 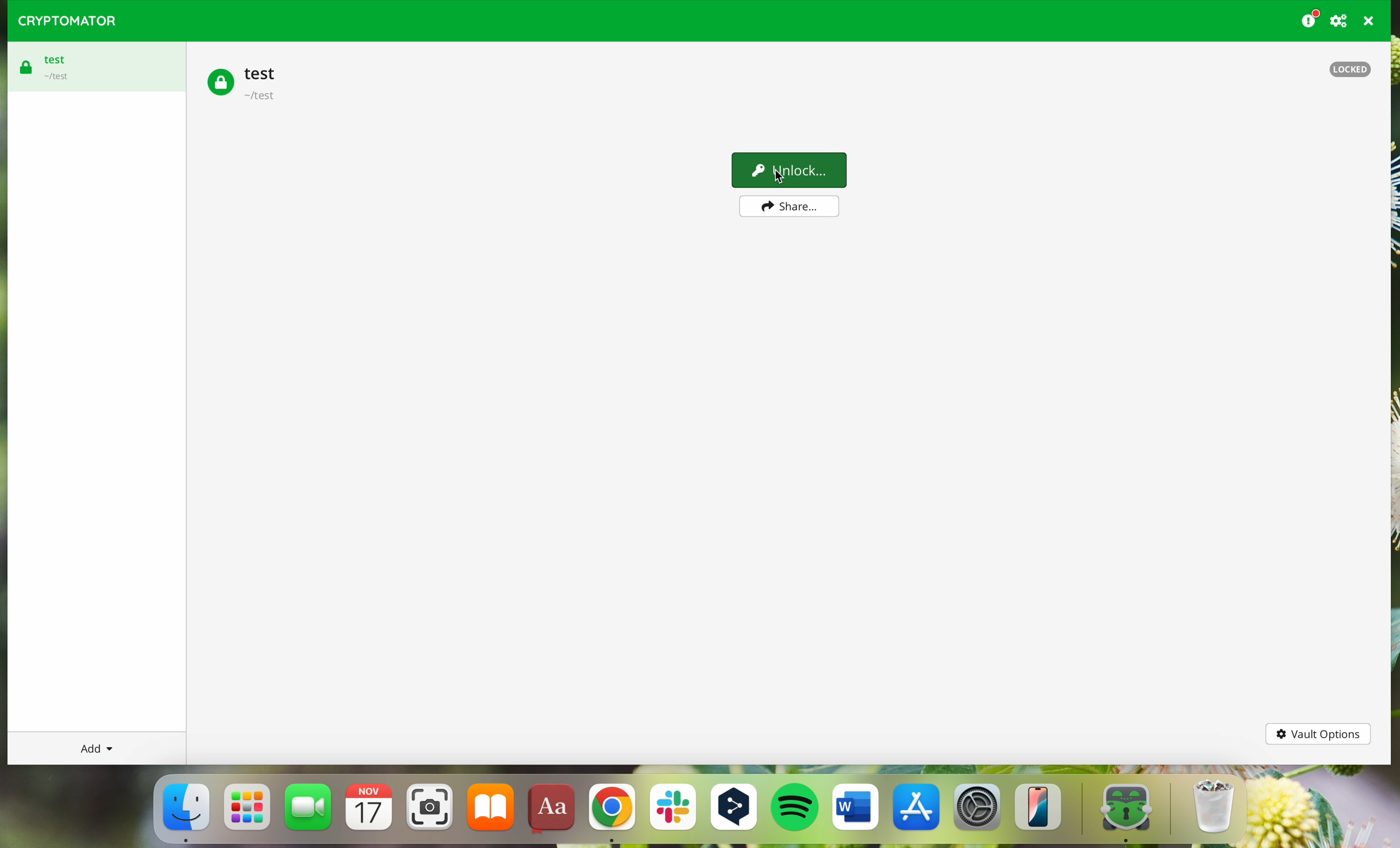 What do you see at coordinates (796, 813) in the screenshot?
I see `Spotify` at bounding box center [796, 813].